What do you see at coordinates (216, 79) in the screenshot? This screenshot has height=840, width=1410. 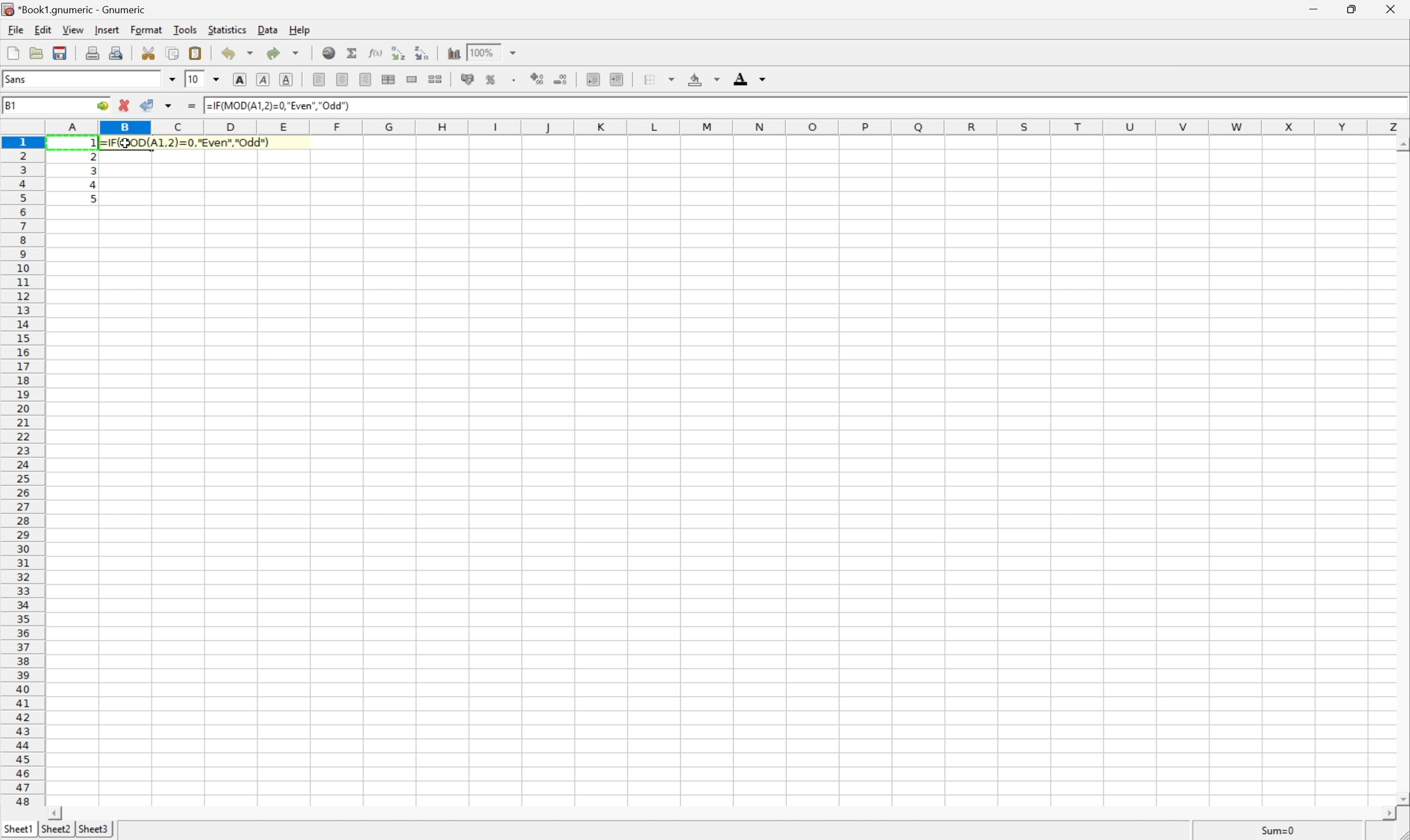 I see `Drop Down` at bounding box center [216, 79].